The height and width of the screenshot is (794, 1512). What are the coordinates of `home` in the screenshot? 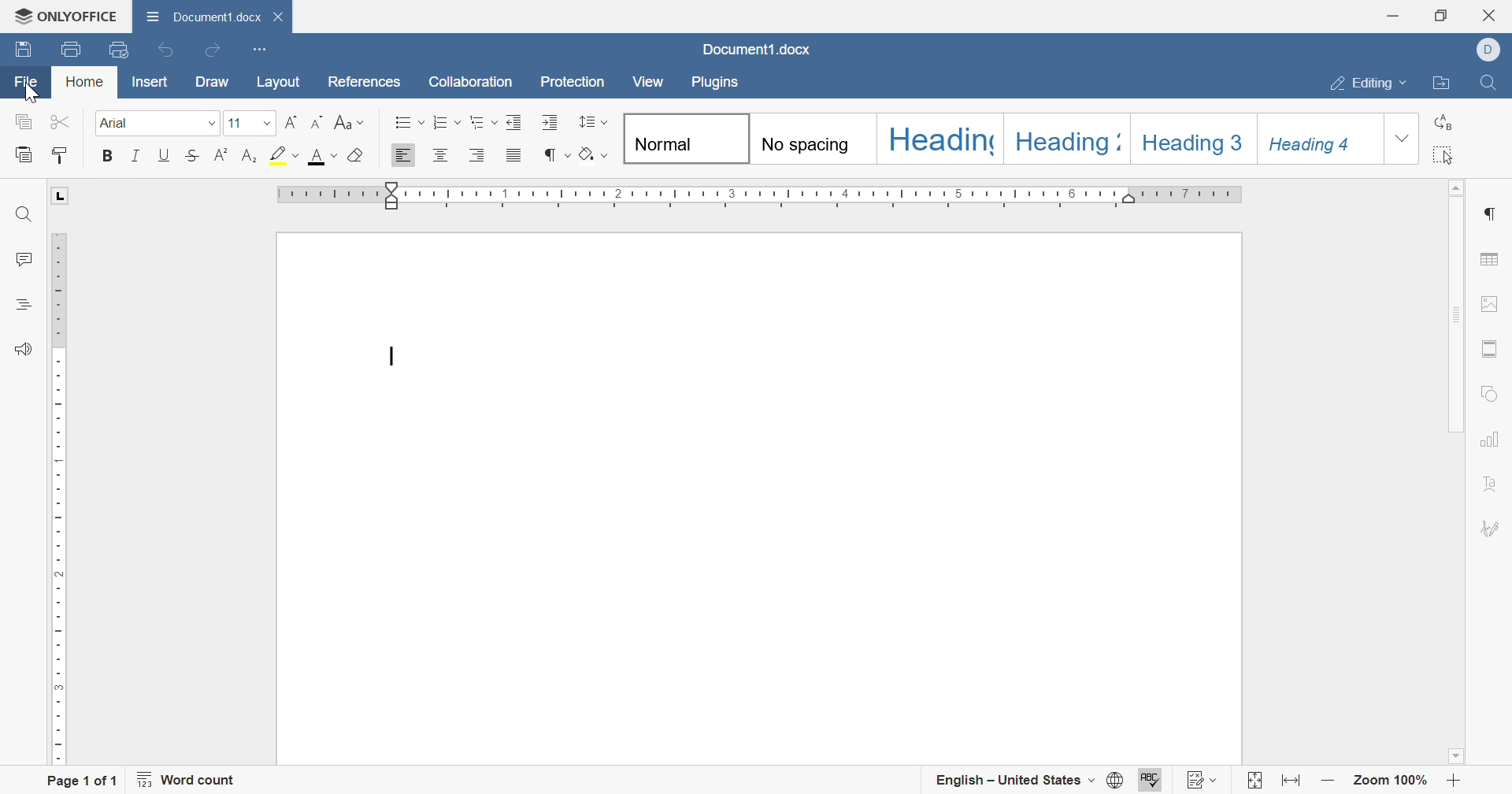 It's located at (83, 83).